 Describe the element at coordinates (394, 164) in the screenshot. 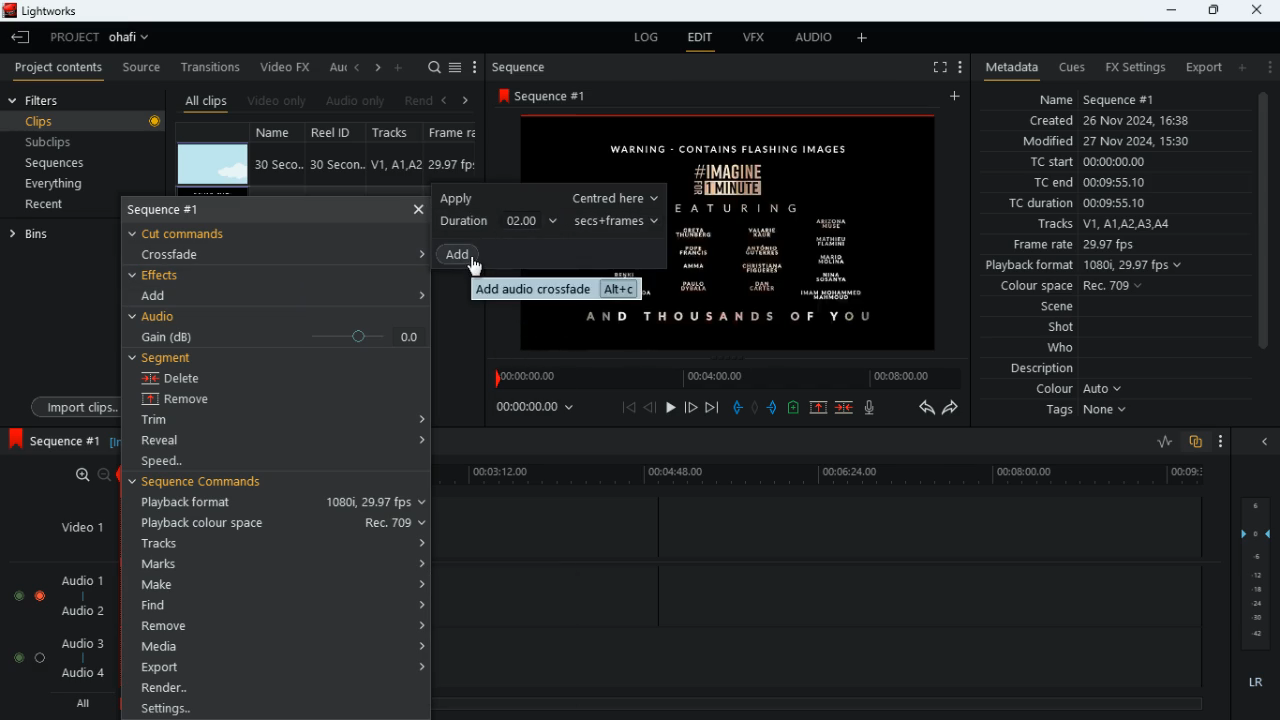

I see `V1, A1, A2` at that location.